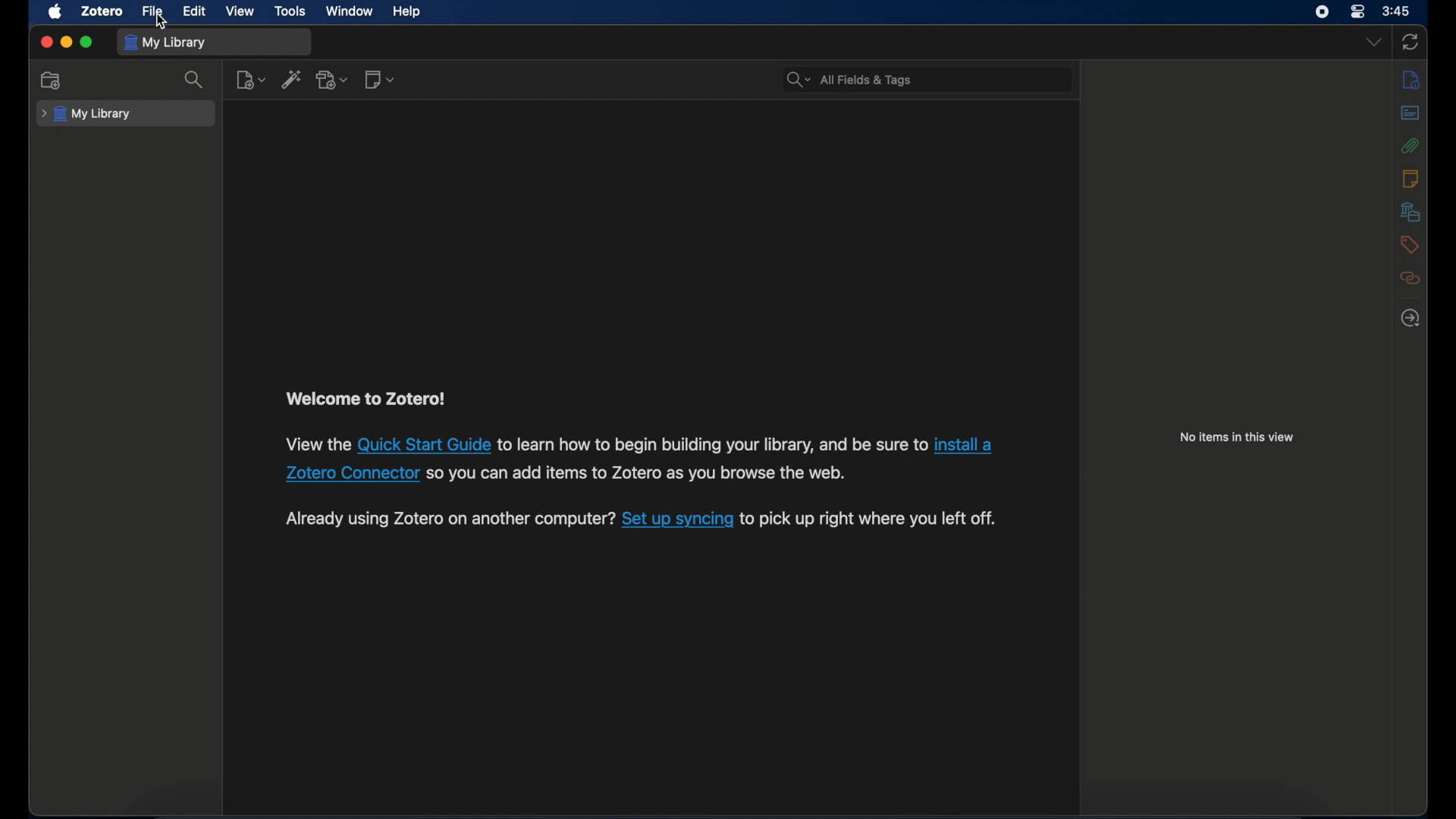 This screenshot has width=1456, height=819. What do you see at coordinates (381, 80) in the screenshot?
I see `new notes` at bounding box center [381, 80].